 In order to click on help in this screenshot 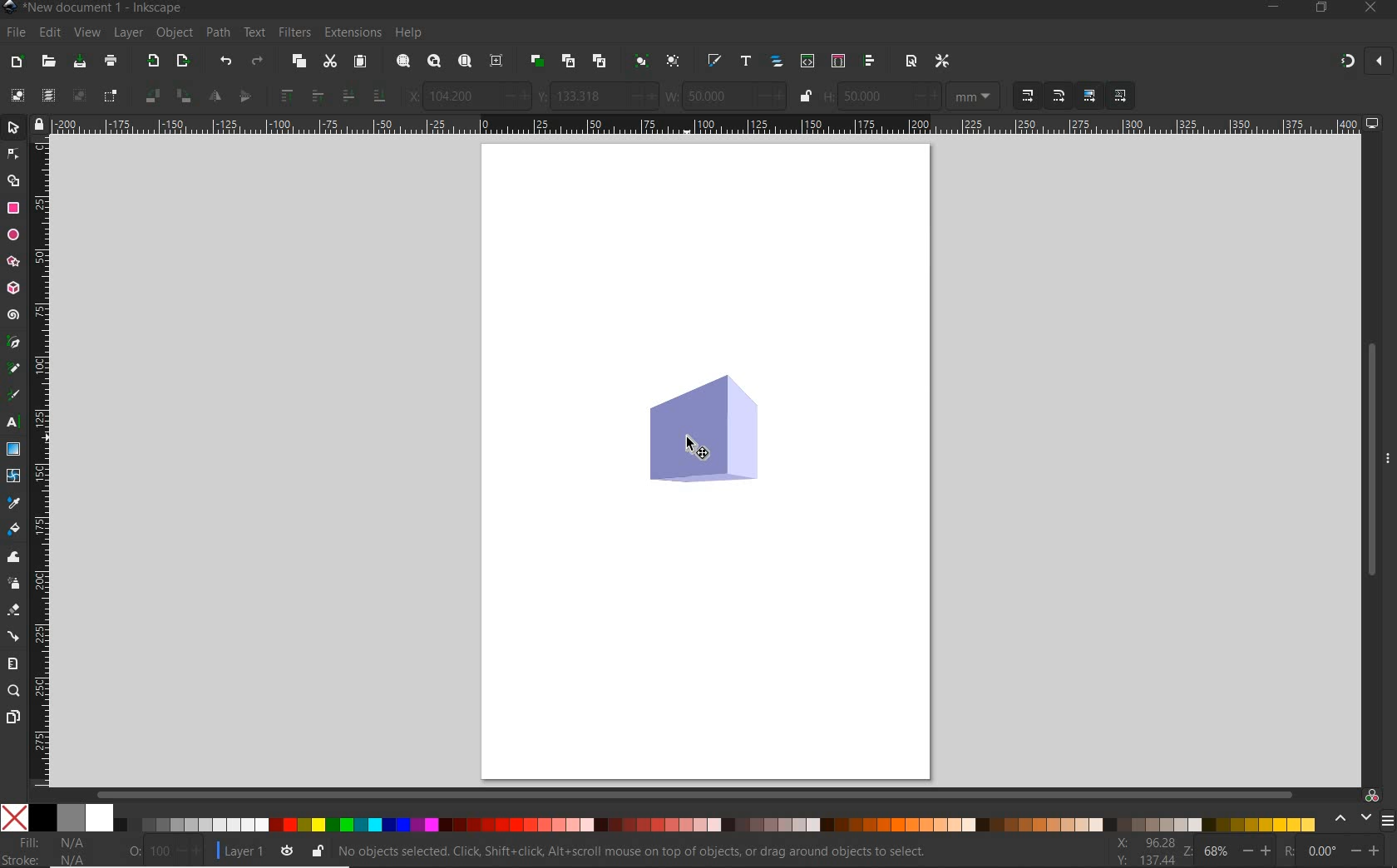, I will do `click(410, 32)`.